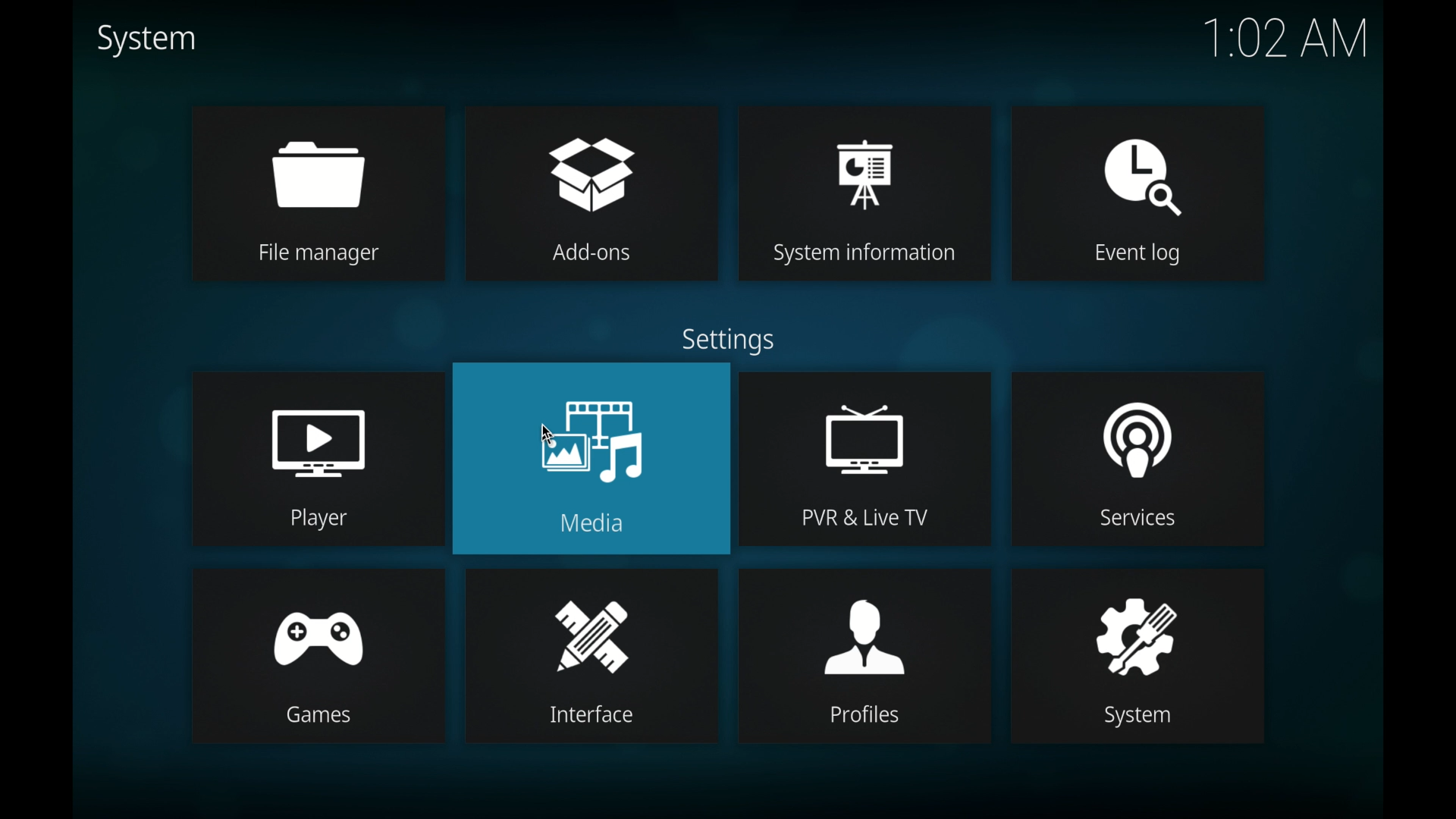 This screenshot has width=1456, height=819. I want to click on event log, so click(1139, 162).